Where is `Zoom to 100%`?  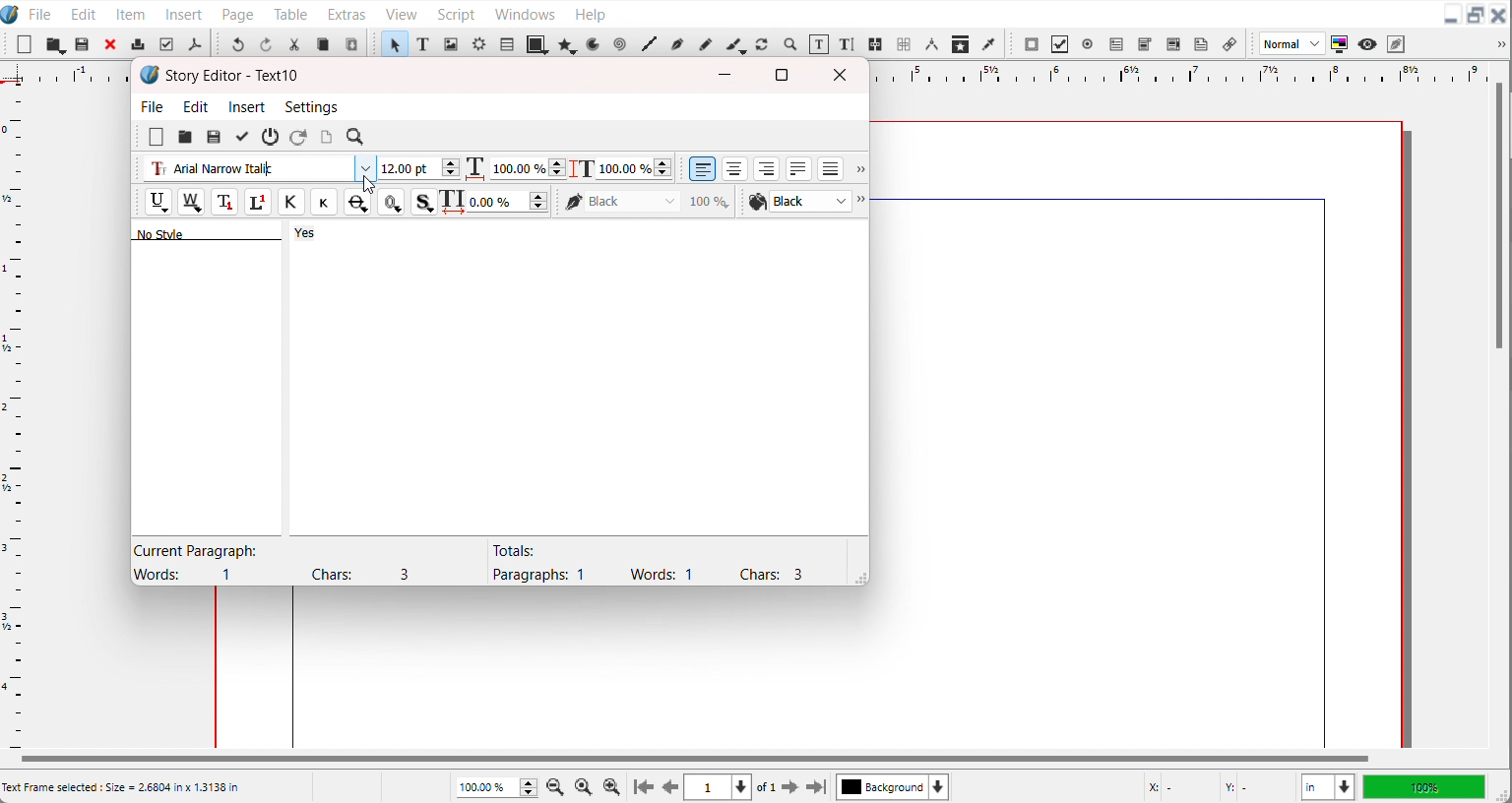 Zoom to 100% is located at coordinates (585, 785).